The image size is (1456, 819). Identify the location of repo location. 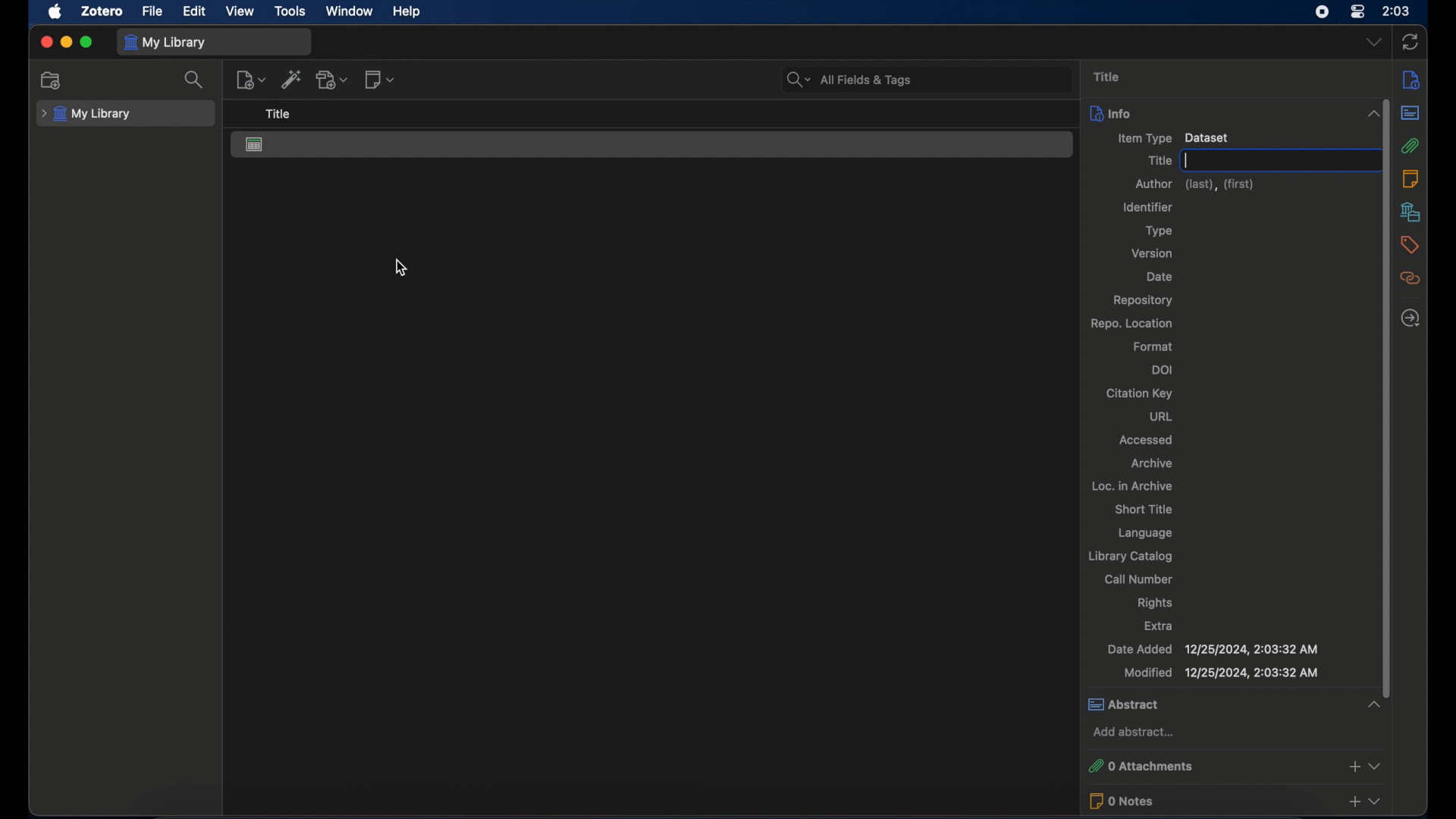
(1133, 323).